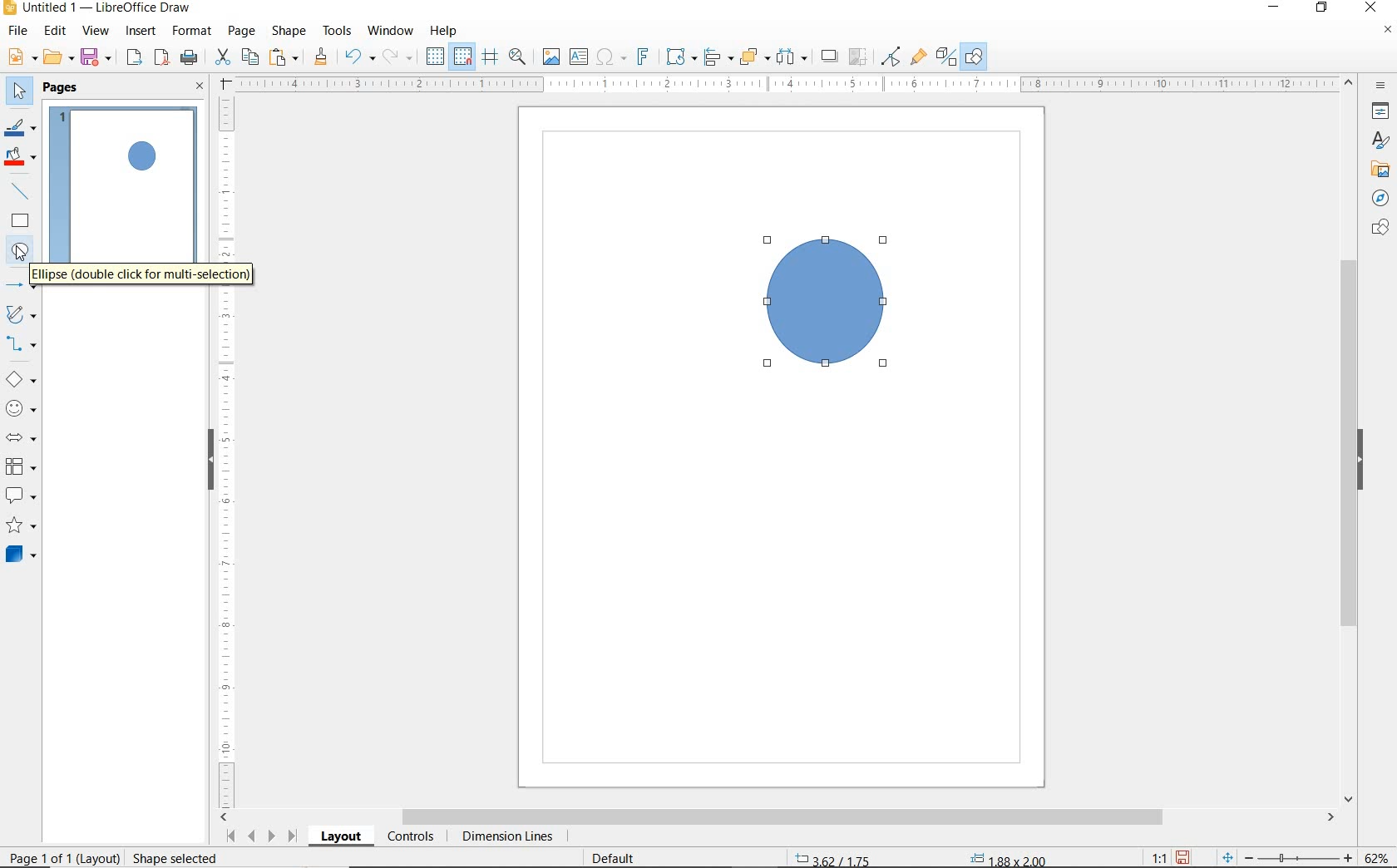 Image resolution: width=1397 pixels, height=868 pixels. I want to click on FILE, so click(19, 33).